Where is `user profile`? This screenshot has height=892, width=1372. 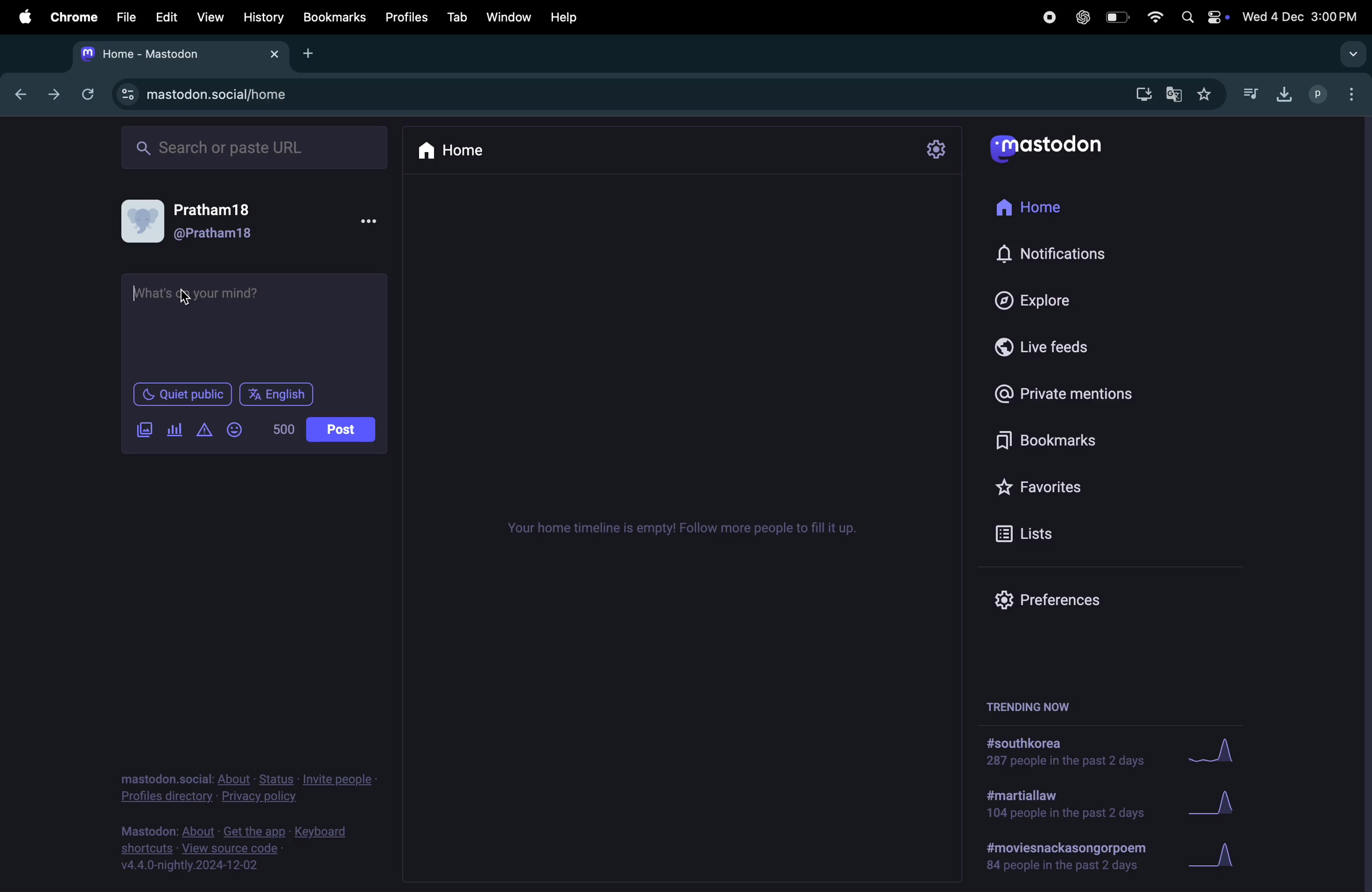 user profile is located at coordinates (250, 222).